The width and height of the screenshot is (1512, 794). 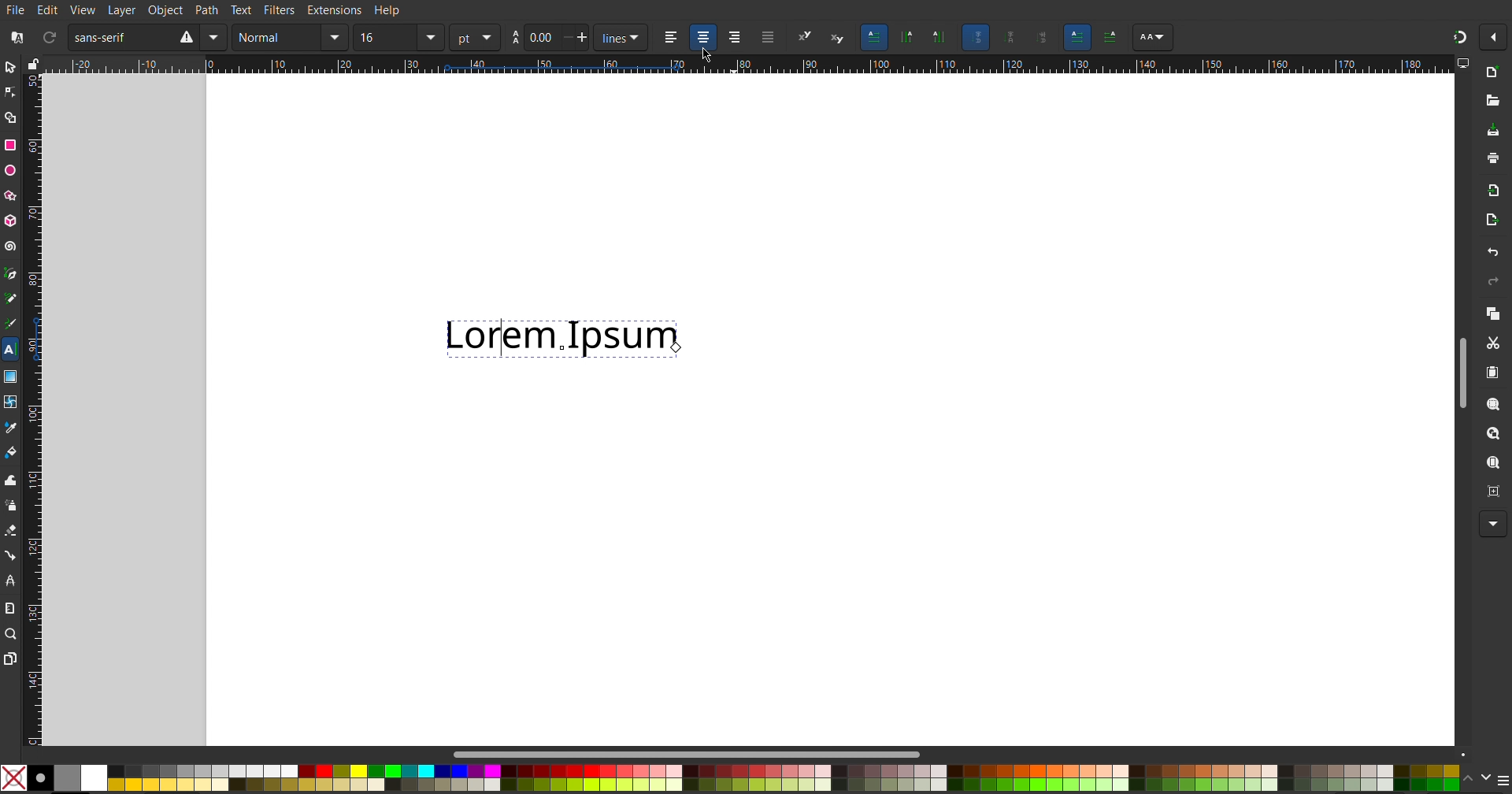 I want to click on Tweak Tool, so click(x=14, y=479).